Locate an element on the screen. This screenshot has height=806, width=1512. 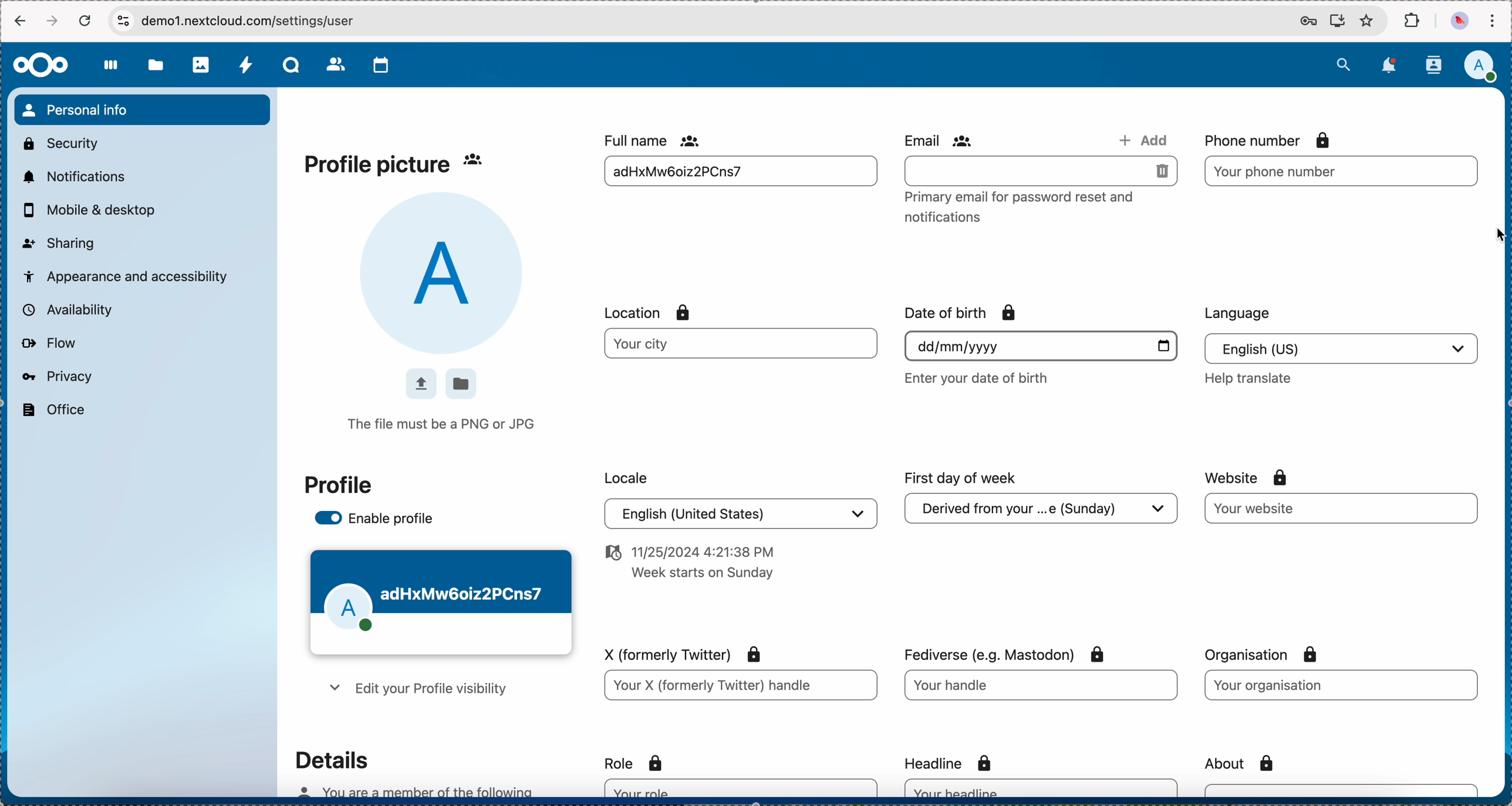
contacts is located at coordinates (1433, 65).